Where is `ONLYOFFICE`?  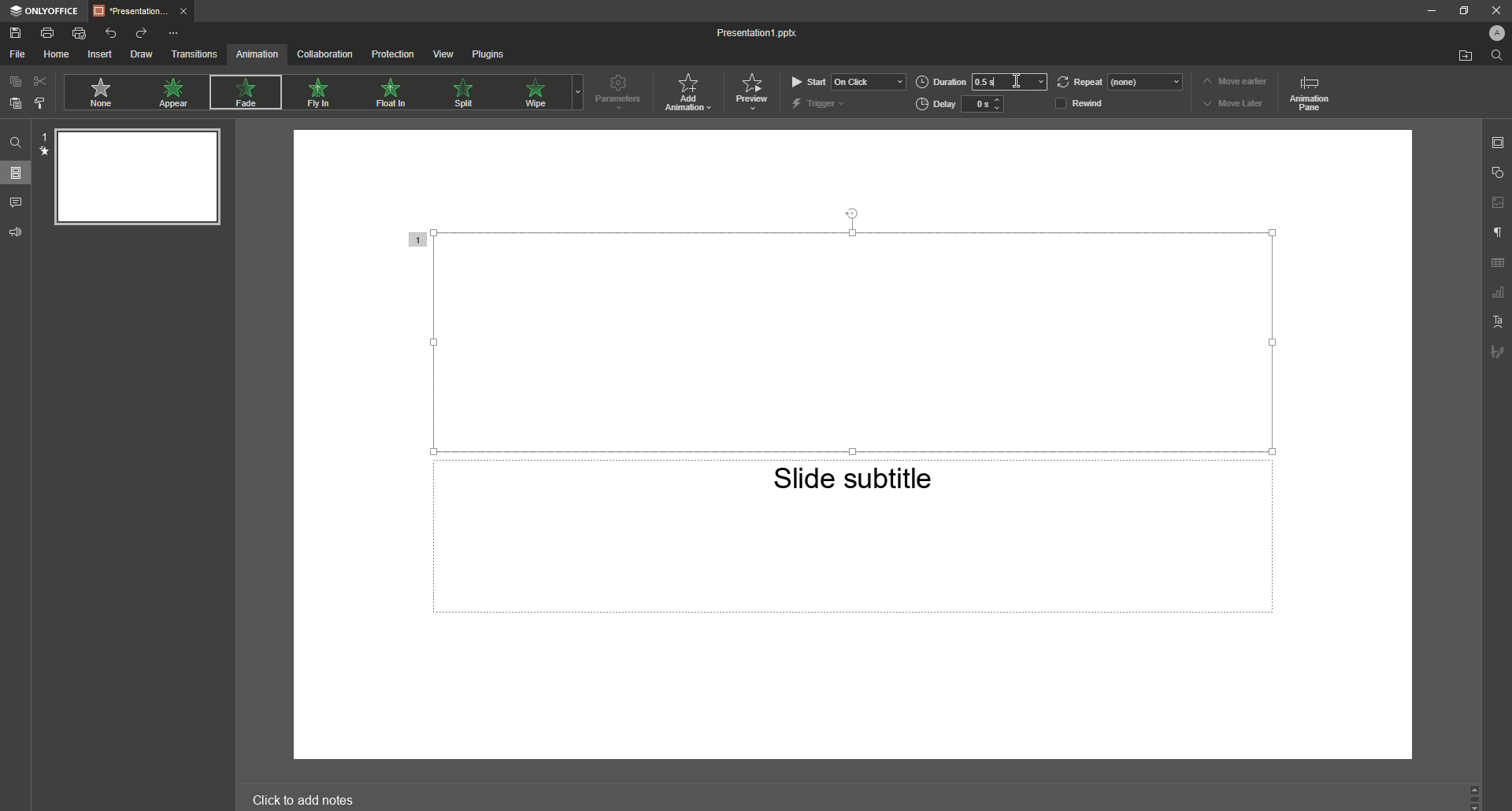 ONLYOFFICE is located at coordinates (47, 11).